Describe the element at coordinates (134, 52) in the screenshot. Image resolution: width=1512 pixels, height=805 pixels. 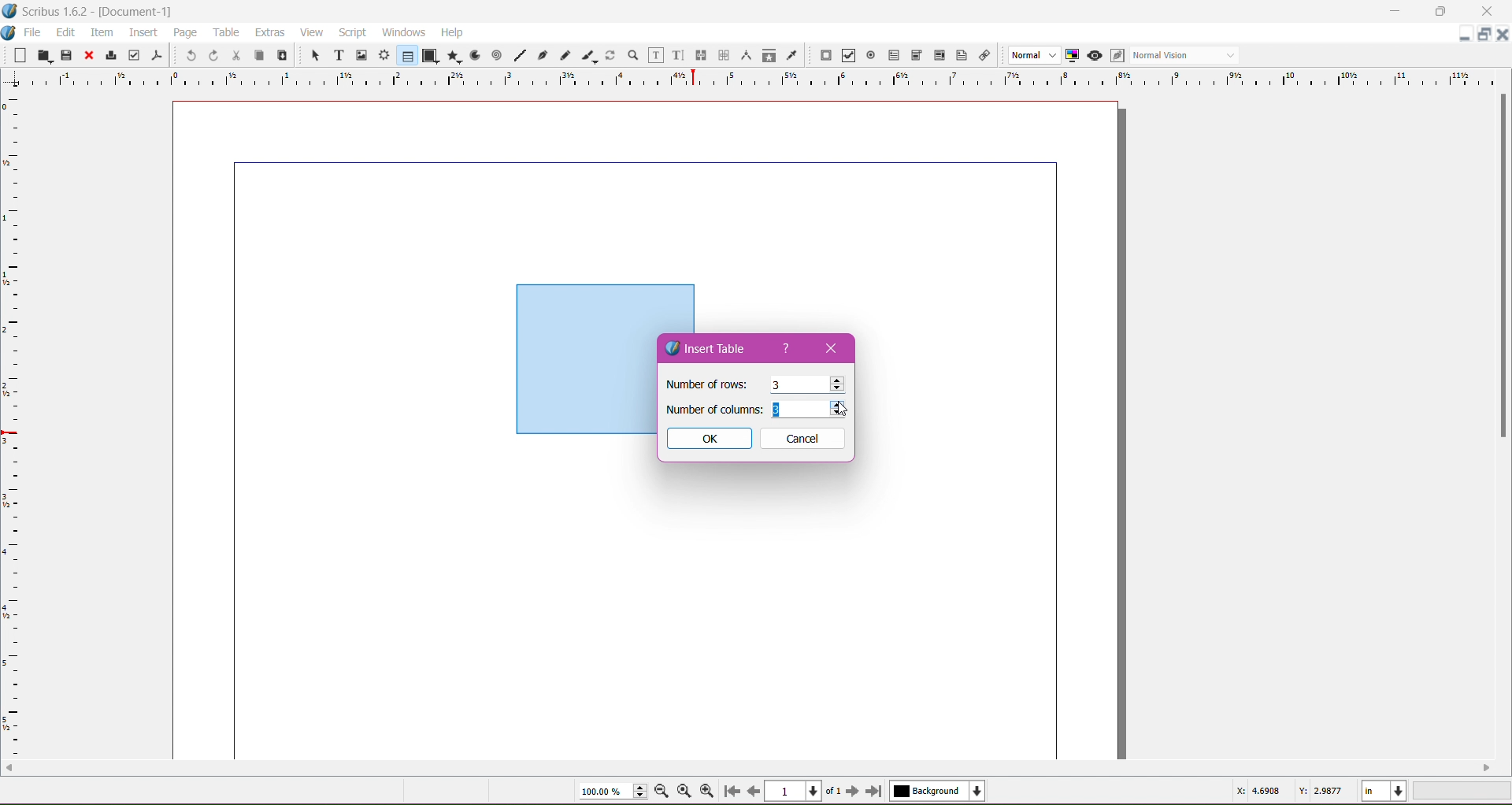
I see `Preflight Verifier` at that location.